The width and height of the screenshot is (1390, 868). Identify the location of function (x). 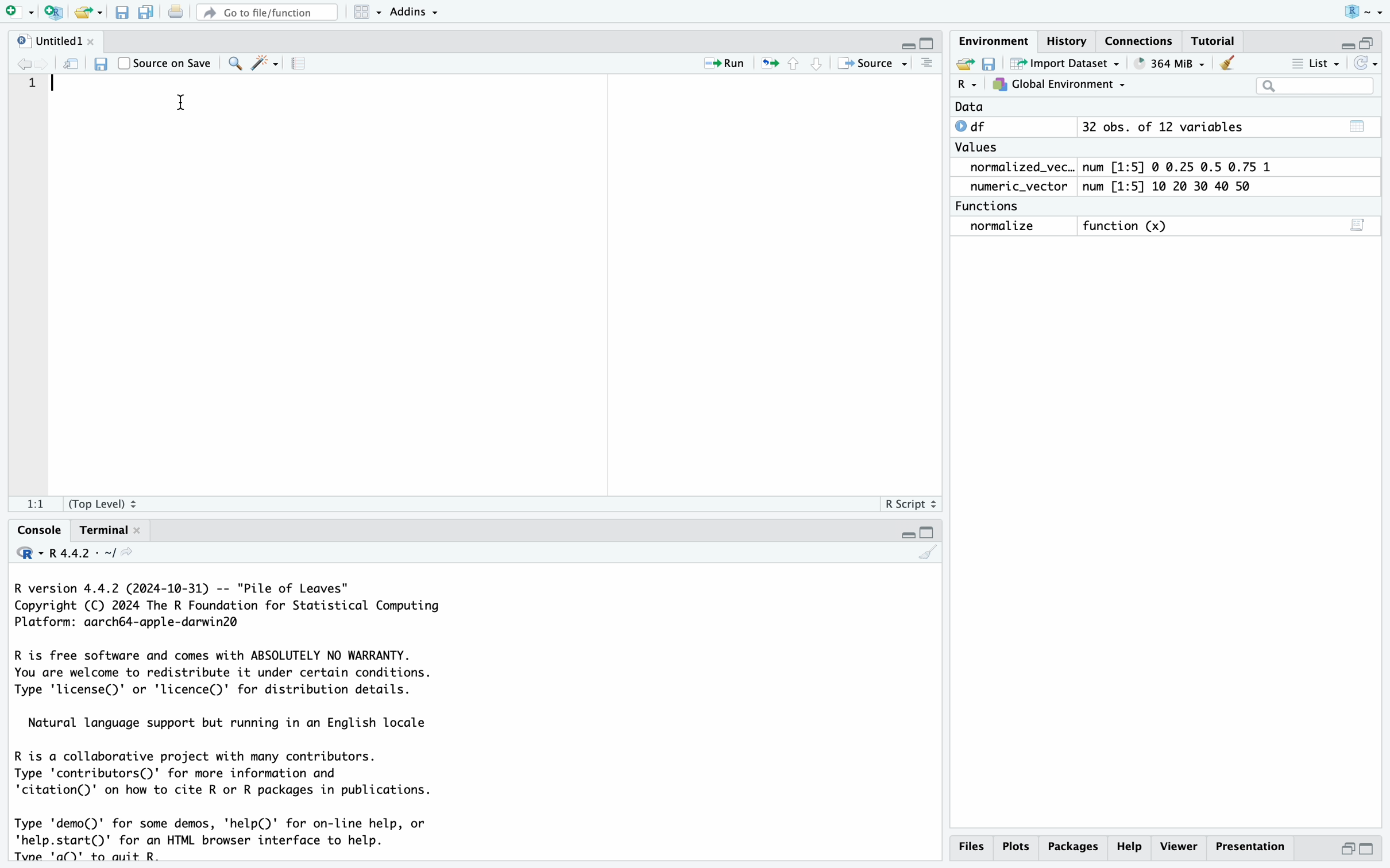
(1129, 227).